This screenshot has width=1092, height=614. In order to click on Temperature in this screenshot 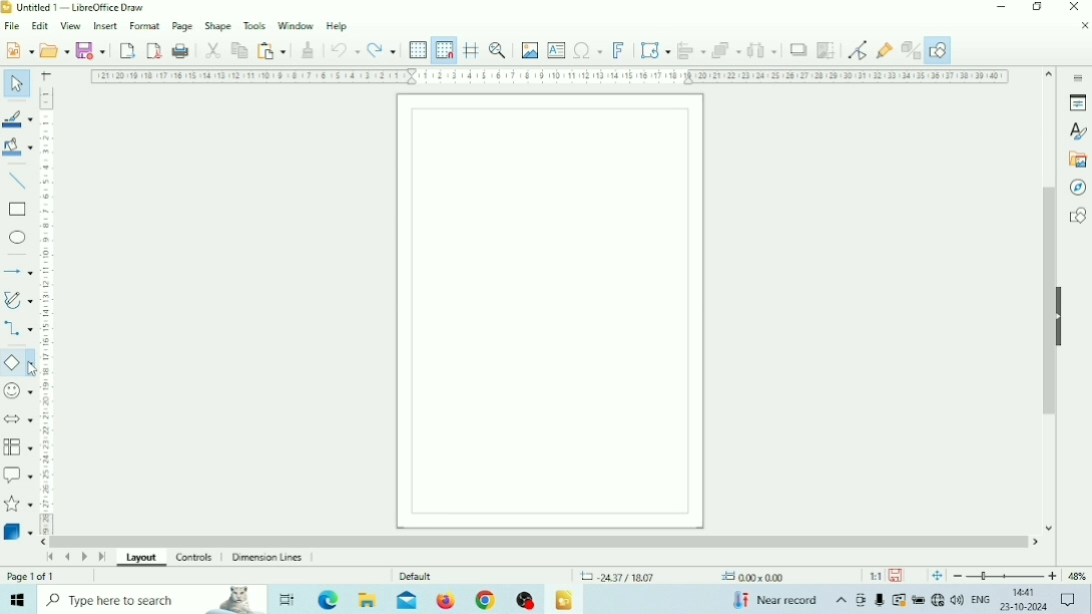, I will do `click(774, 599)`.